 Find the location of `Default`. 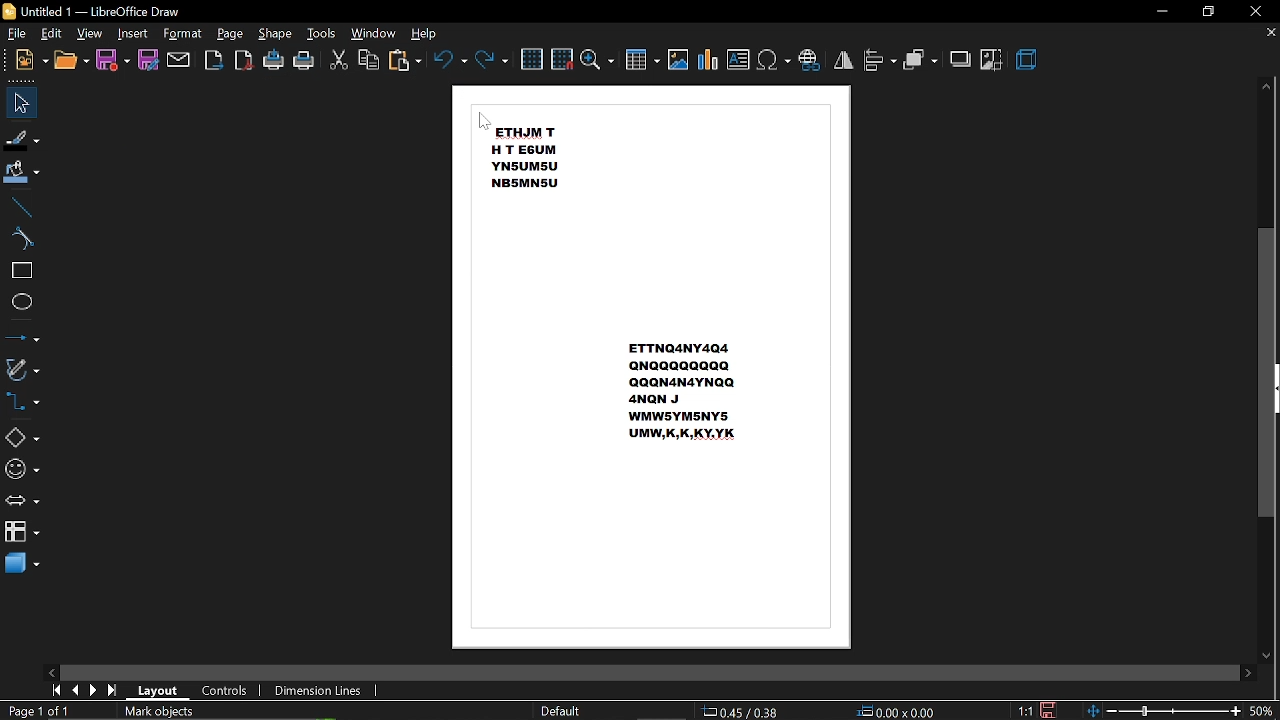

Default is located at coordinates (560, 711).